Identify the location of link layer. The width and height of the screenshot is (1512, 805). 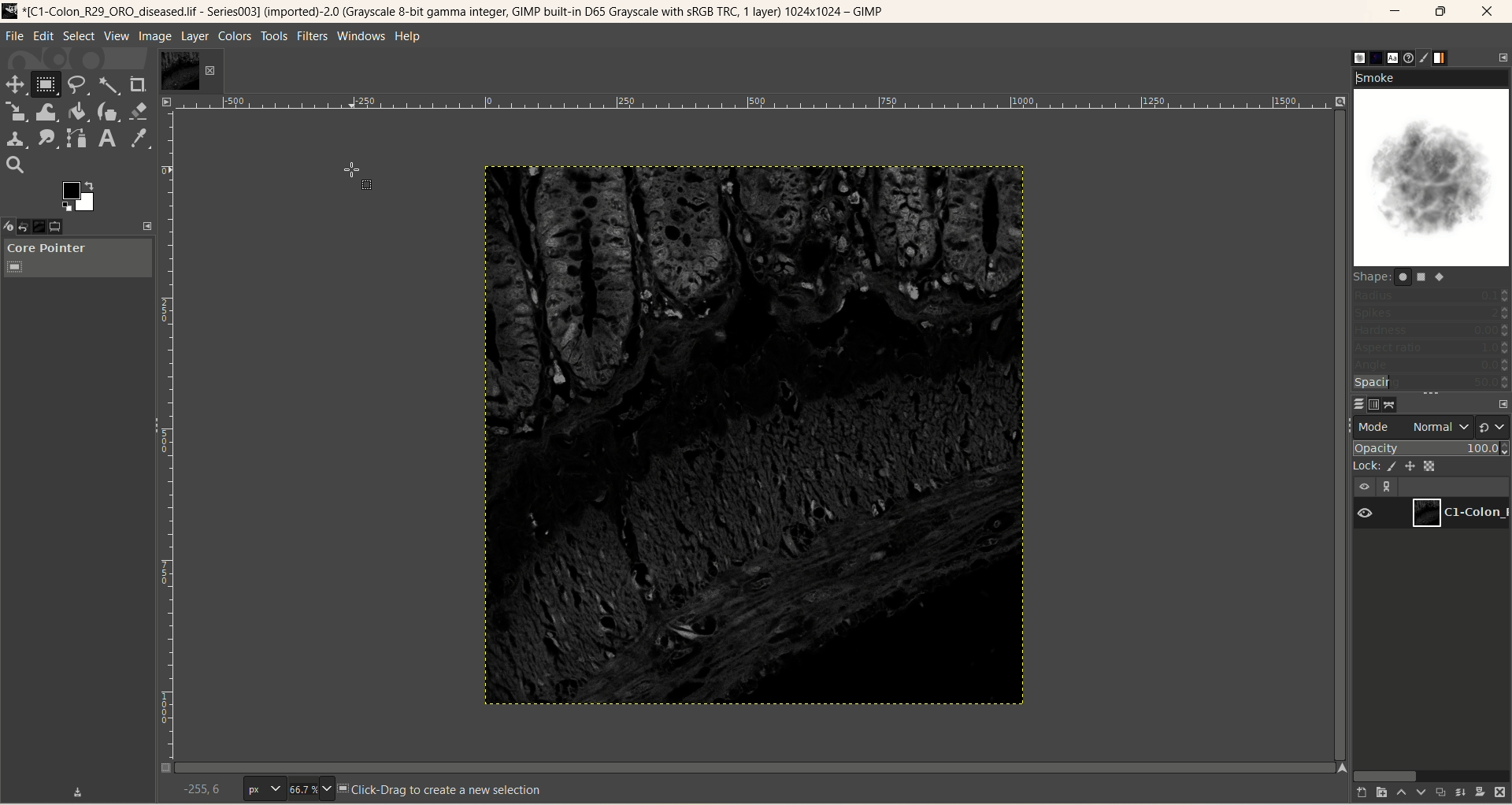
(1388, 488).